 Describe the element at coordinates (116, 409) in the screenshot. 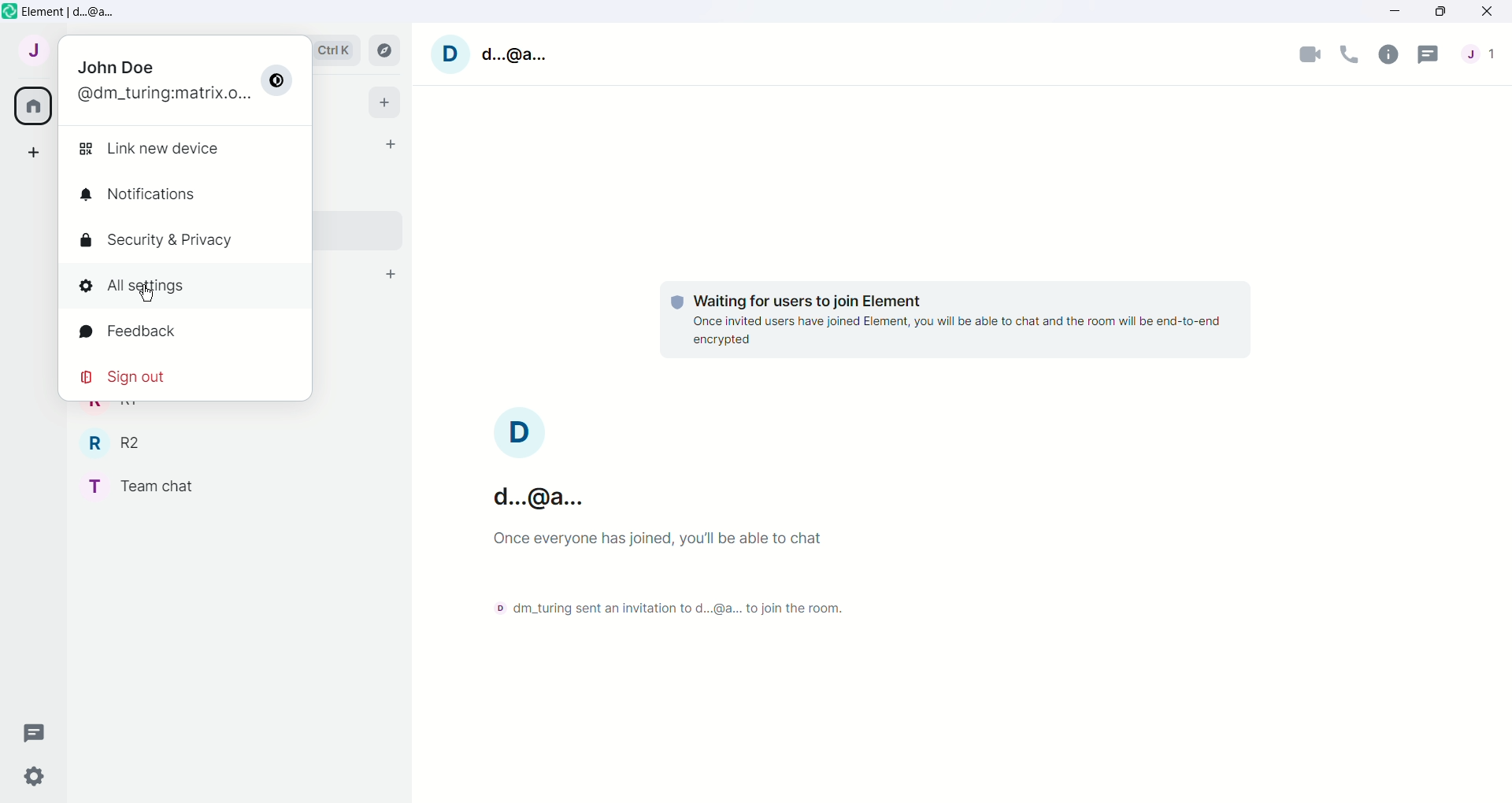

I see `R1 - Room Name` at that location.